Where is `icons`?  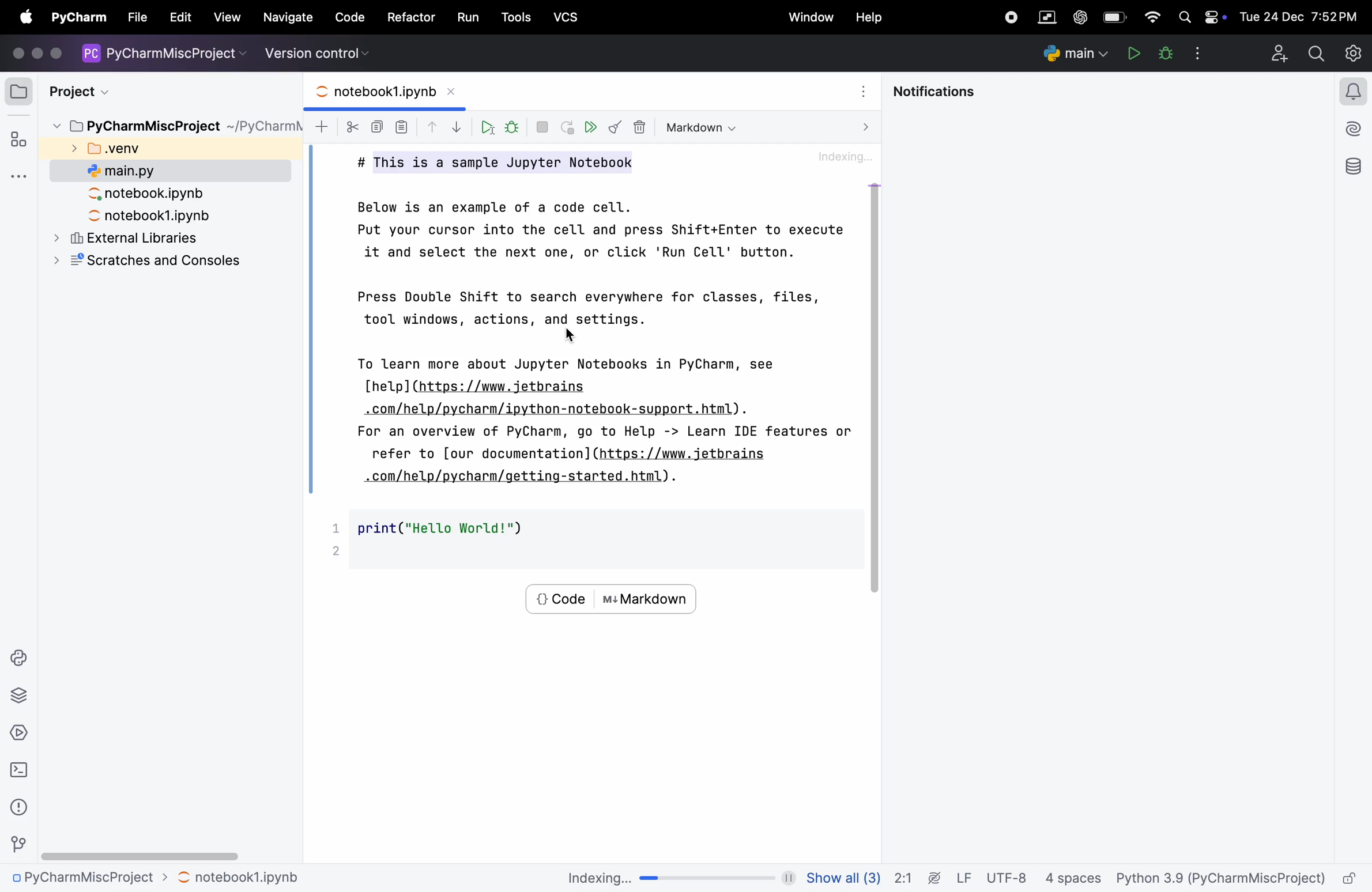
icons is located at coordinates (37, 55).